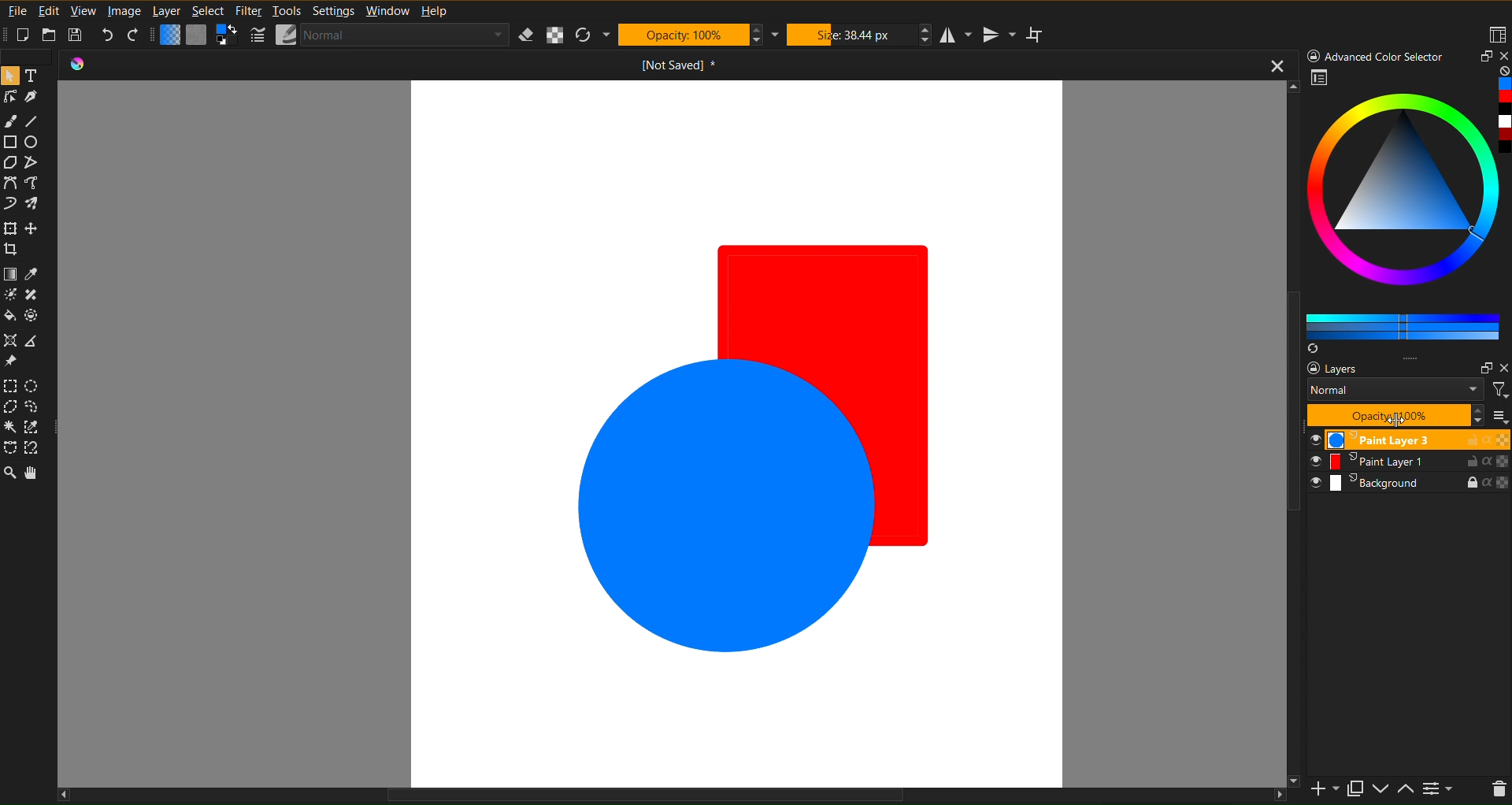  I want to click on Move Tool, so click(11, 248).